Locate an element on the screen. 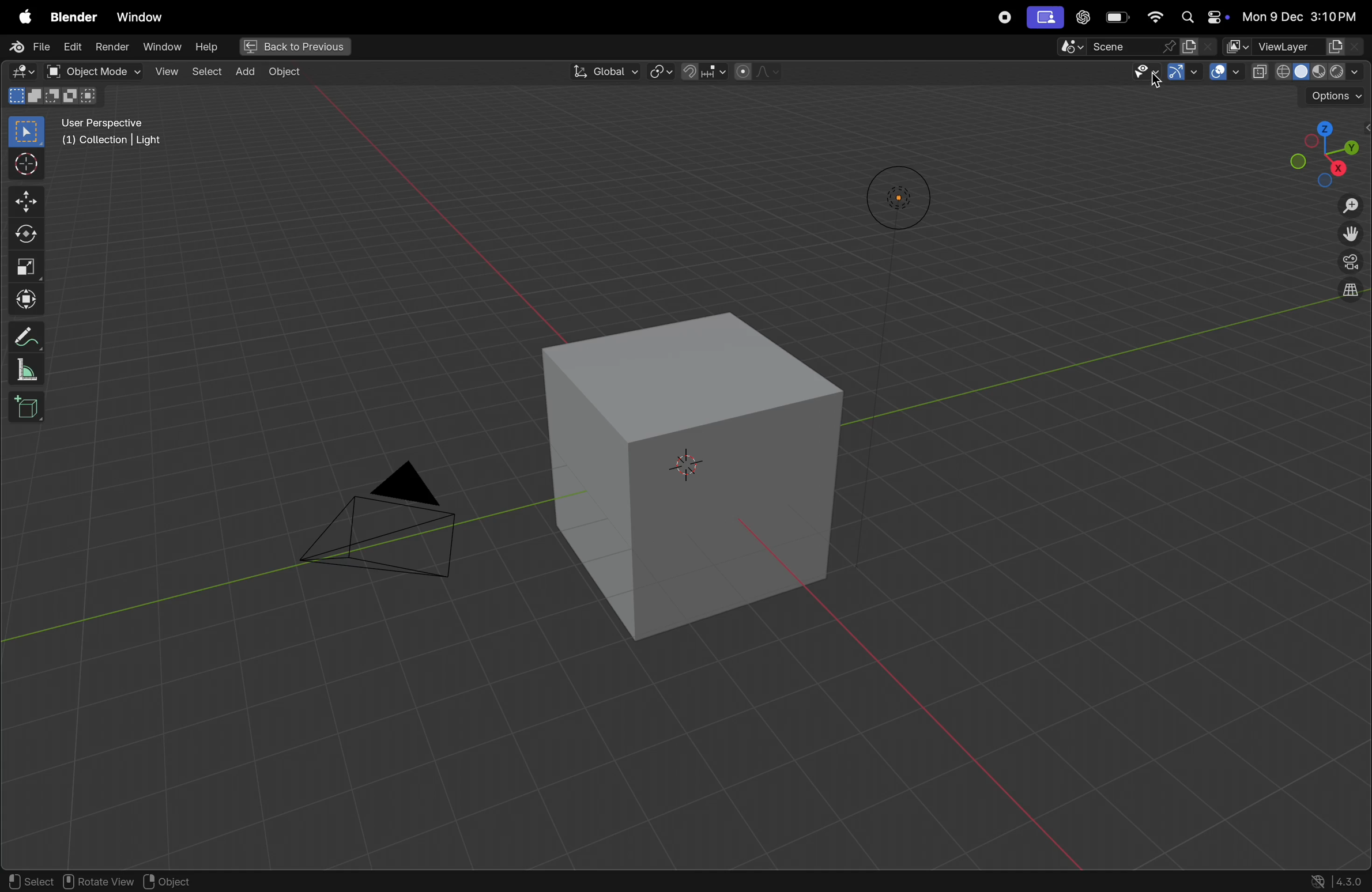  overlays is located at coordinates (1225, 73).